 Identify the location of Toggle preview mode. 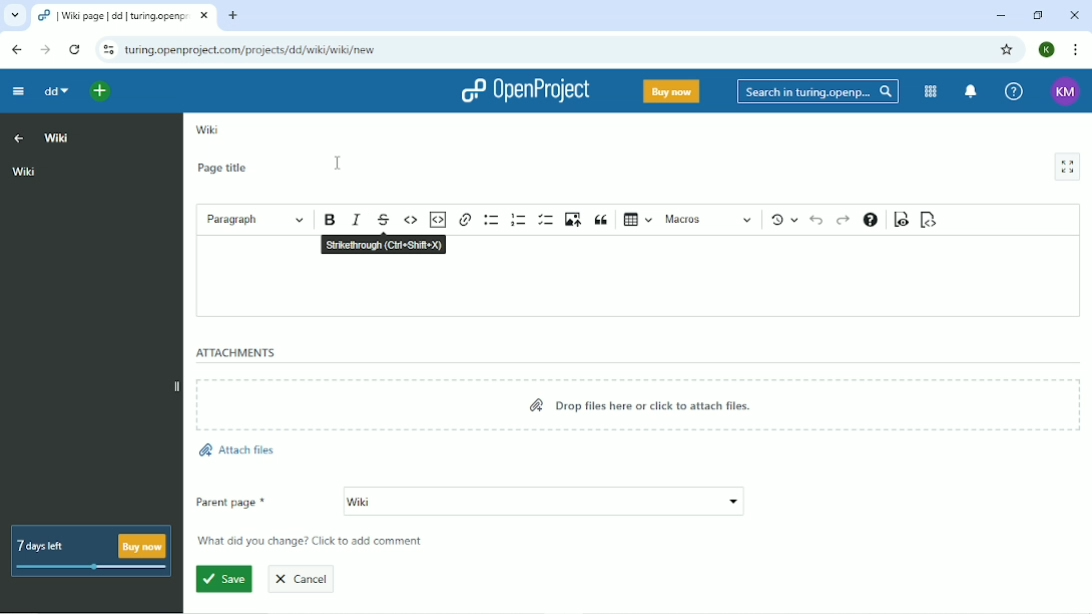
(899, 220).